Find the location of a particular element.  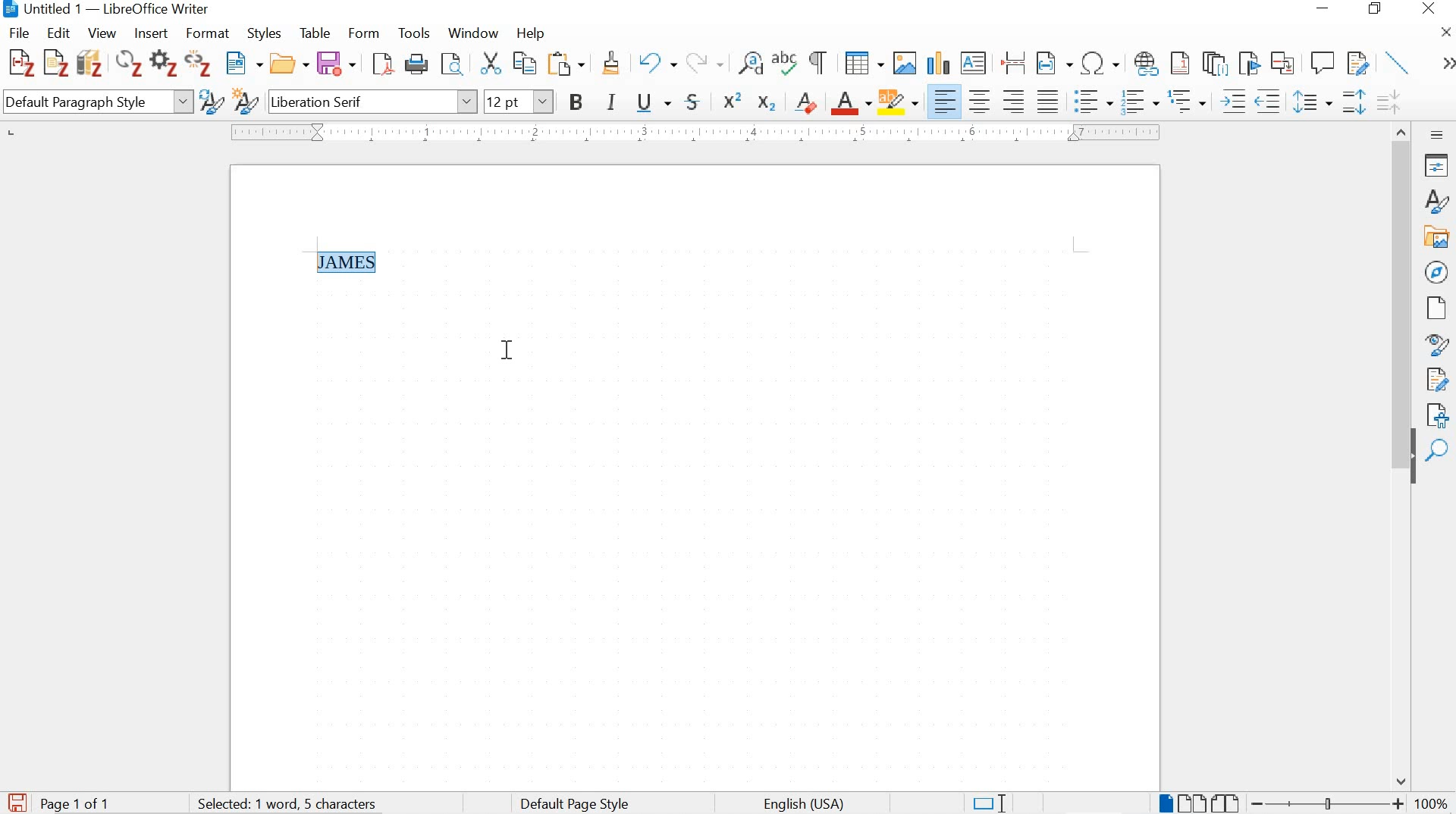

superscript is located at coordinates (734, 100).